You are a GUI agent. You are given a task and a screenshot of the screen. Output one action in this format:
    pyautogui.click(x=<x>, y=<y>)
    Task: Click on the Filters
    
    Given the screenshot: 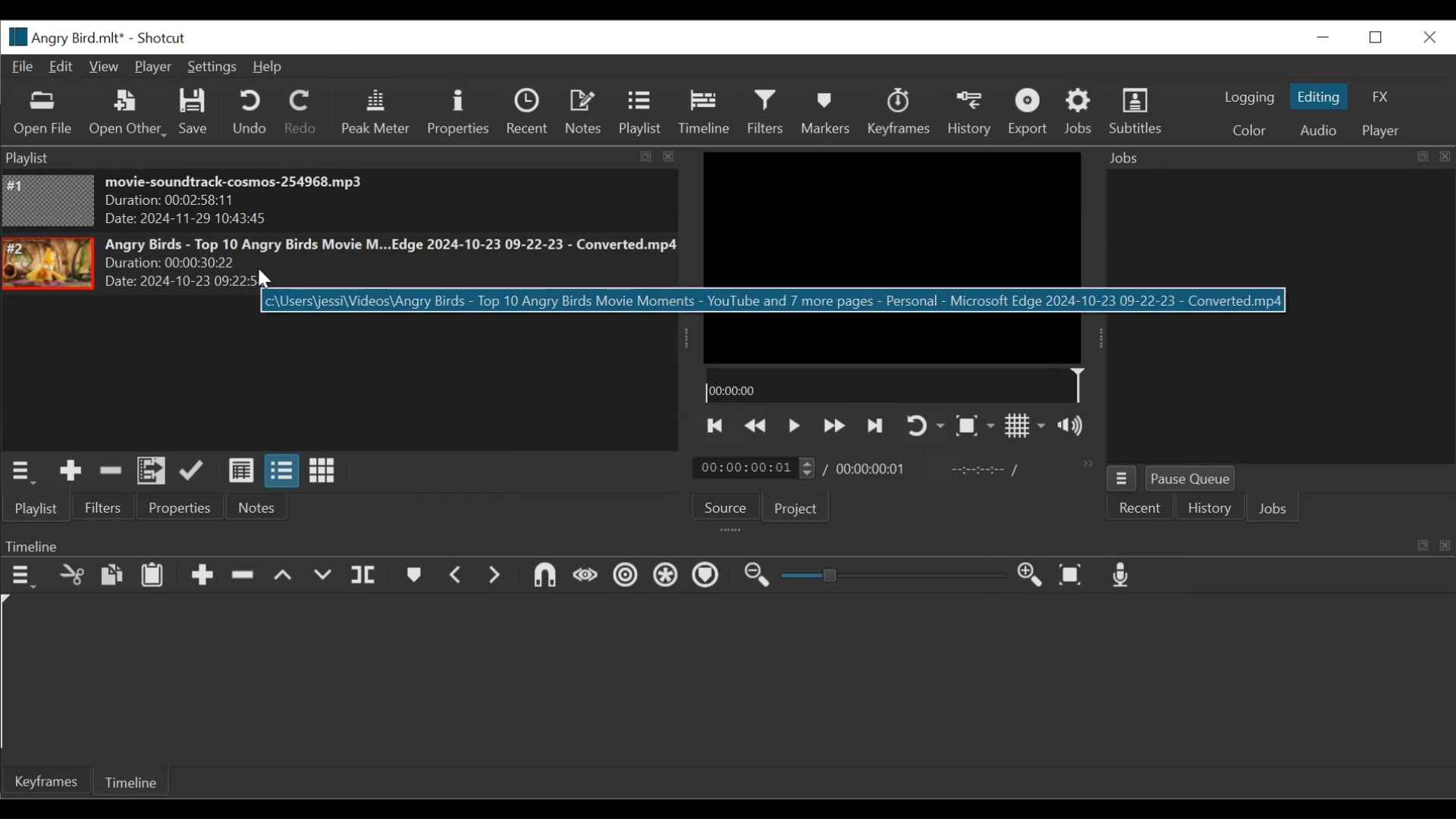 What is the action you would take?
    pyautogui.click(x=767, y=114)
    